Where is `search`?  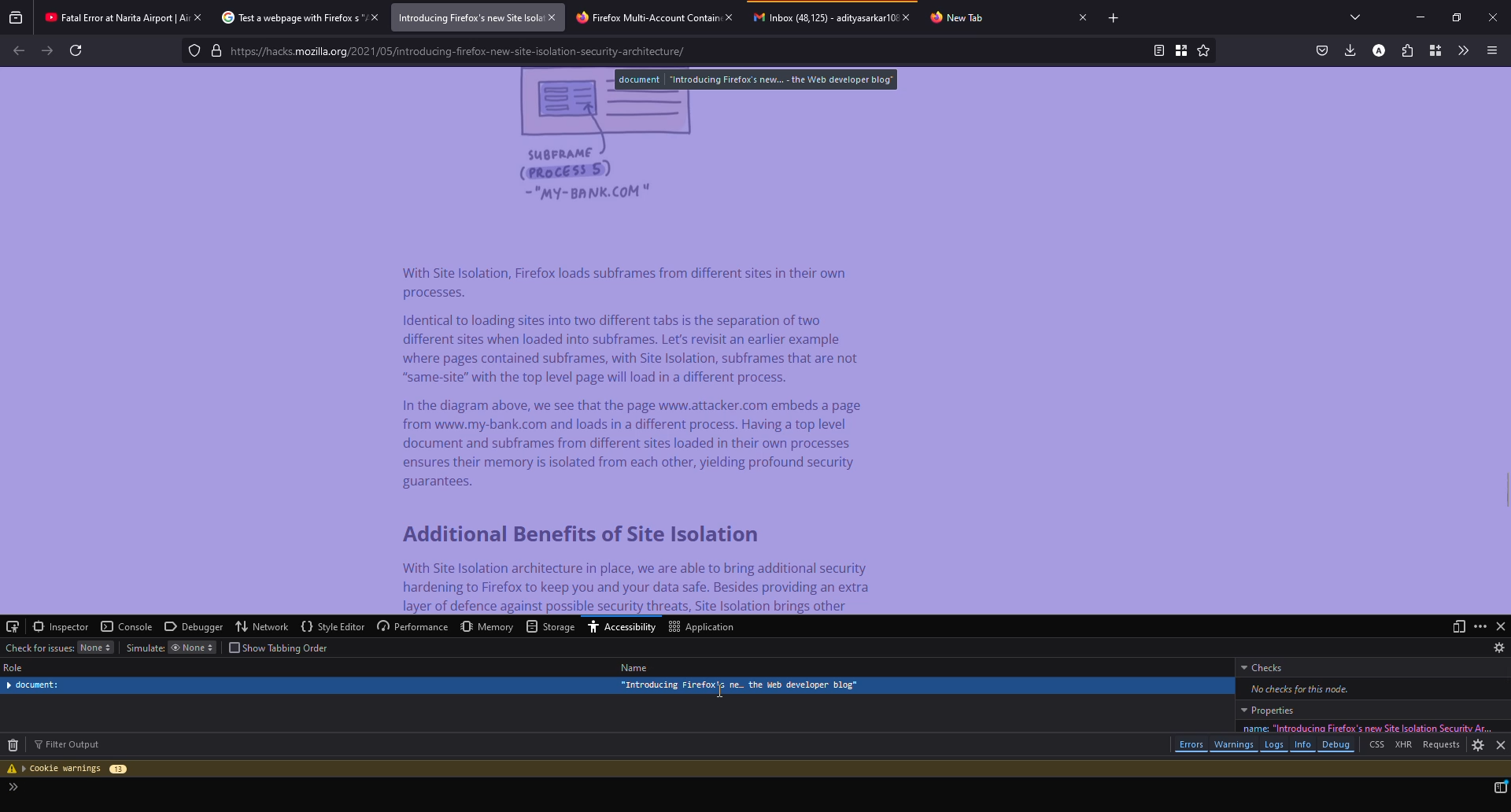 search is located at coordinates (686, 52).